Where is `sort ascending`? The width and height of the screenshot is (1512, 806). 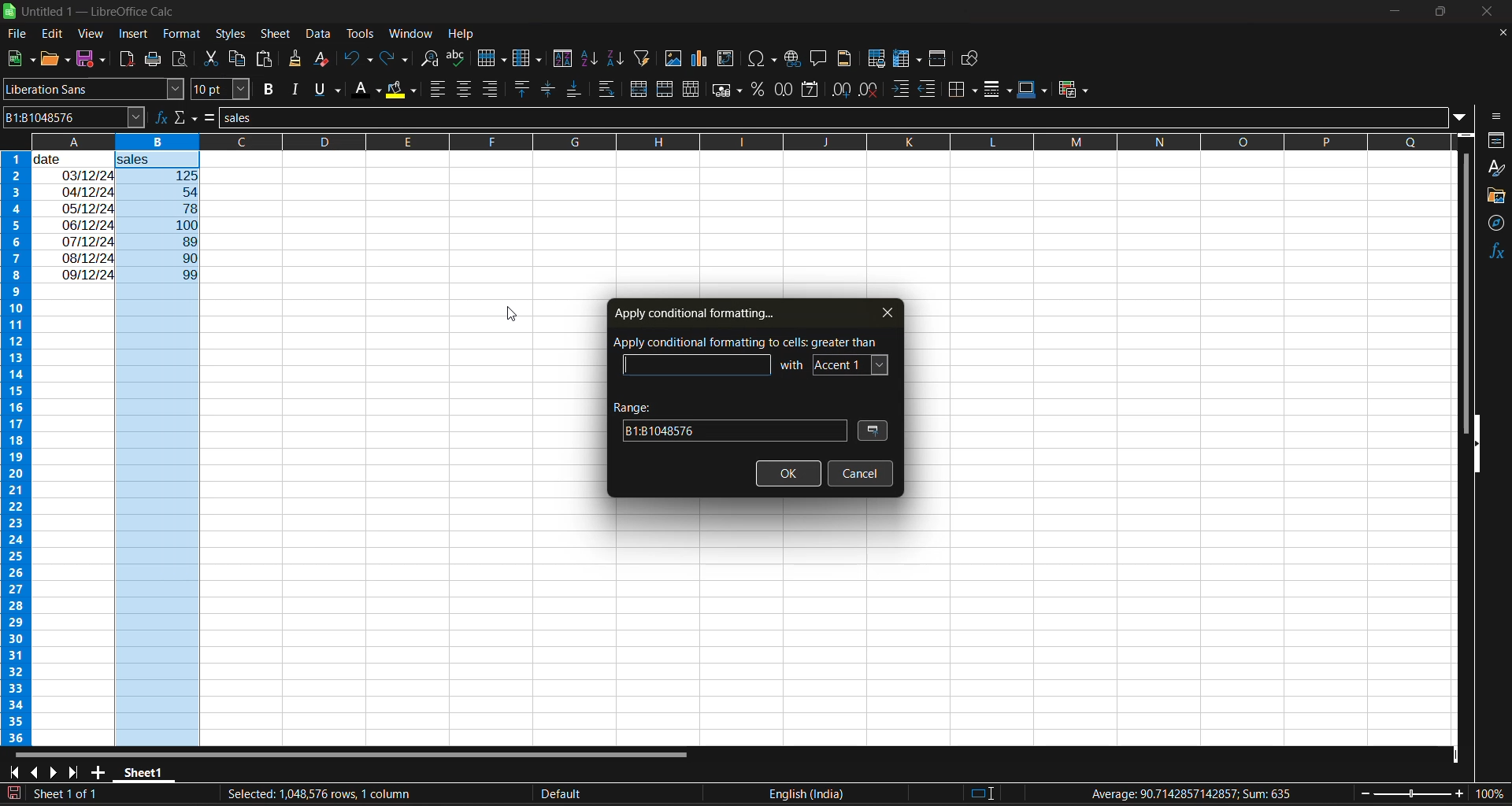
sort ascending is located at coordinates (593, 59).